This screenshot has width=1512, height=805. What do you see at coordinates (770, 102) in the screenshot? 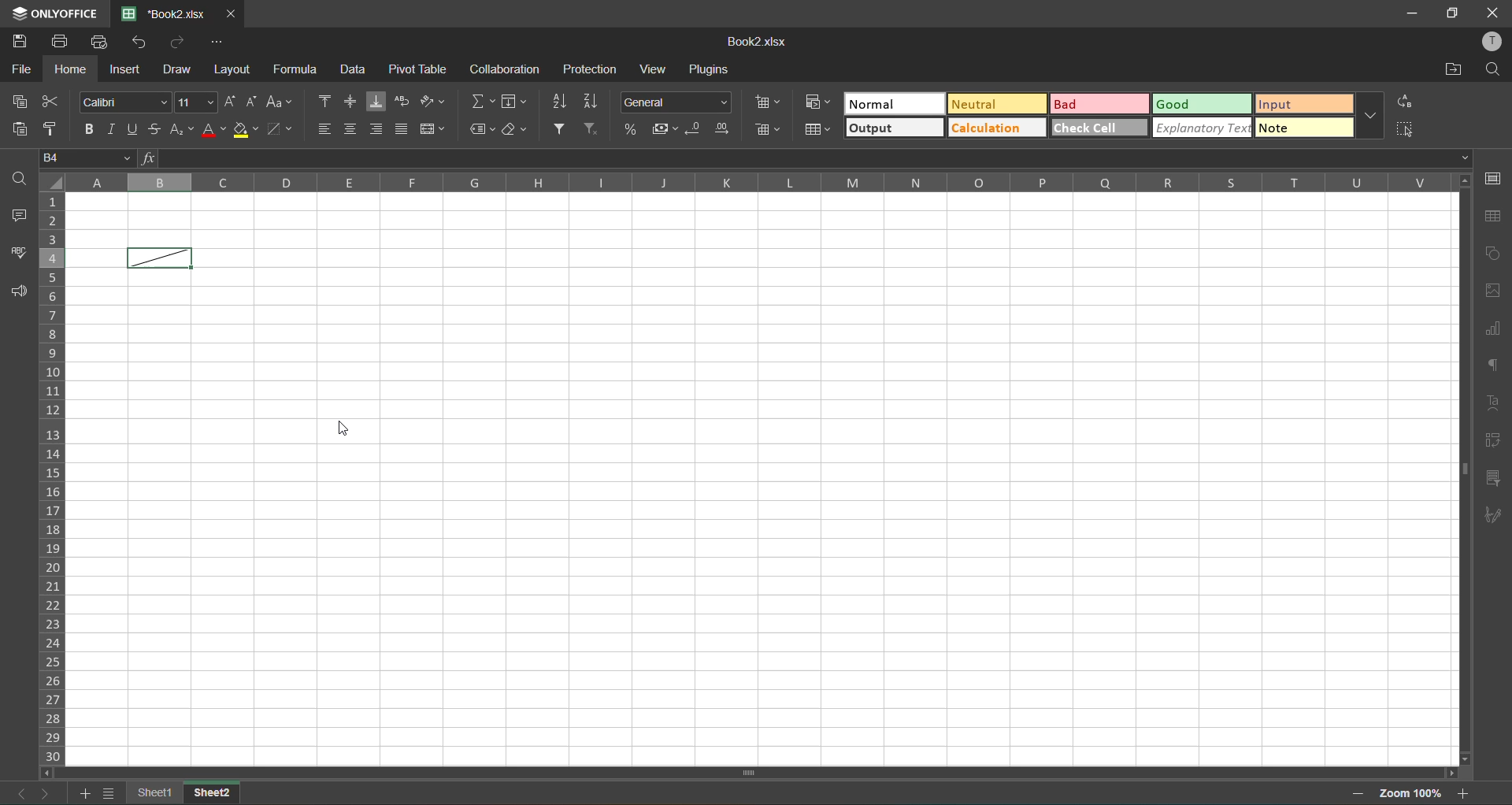
I see `insert cells` at bounding box center [770, 102].